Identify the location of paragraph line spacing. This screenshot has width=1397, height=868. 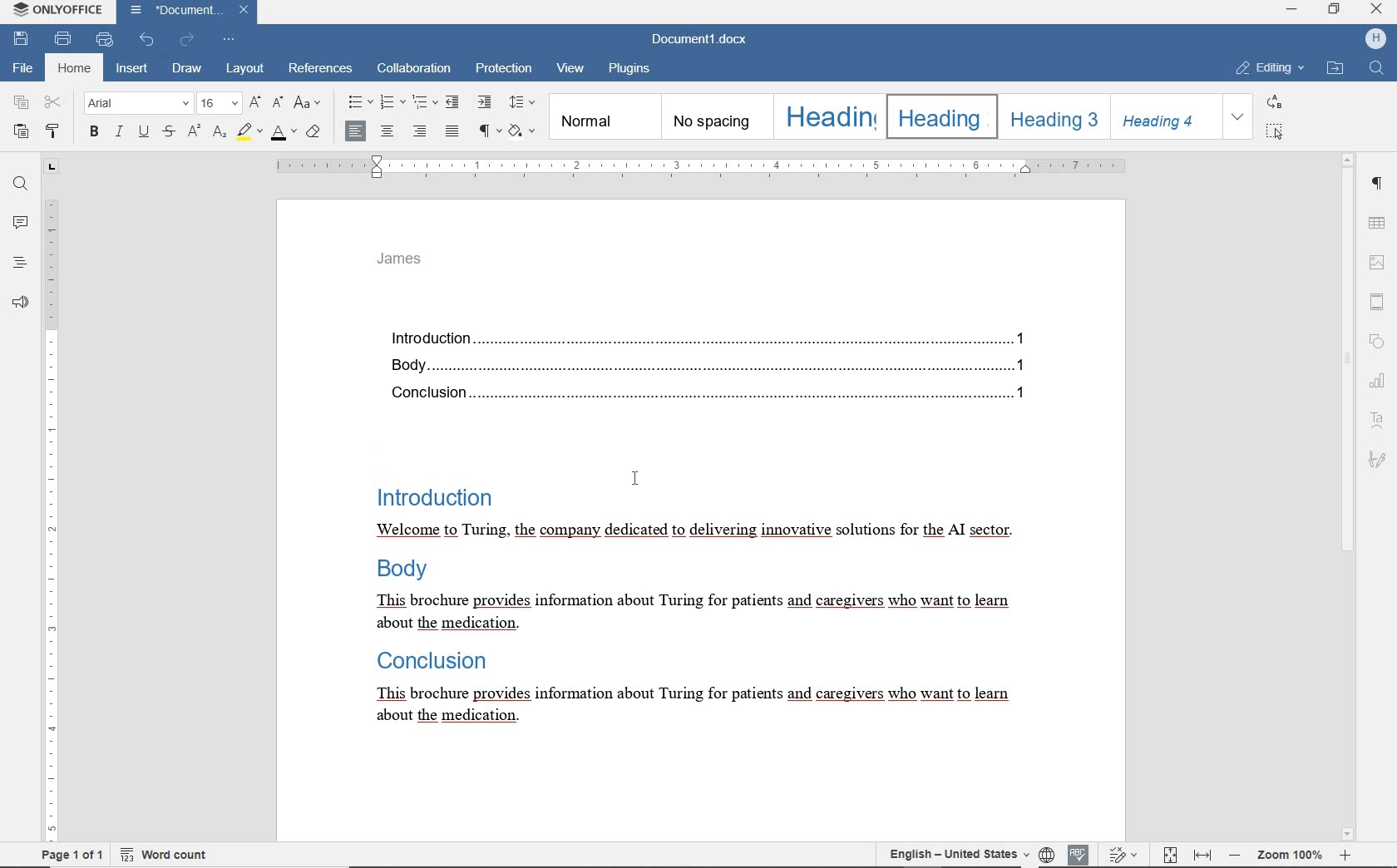
(522, 102).